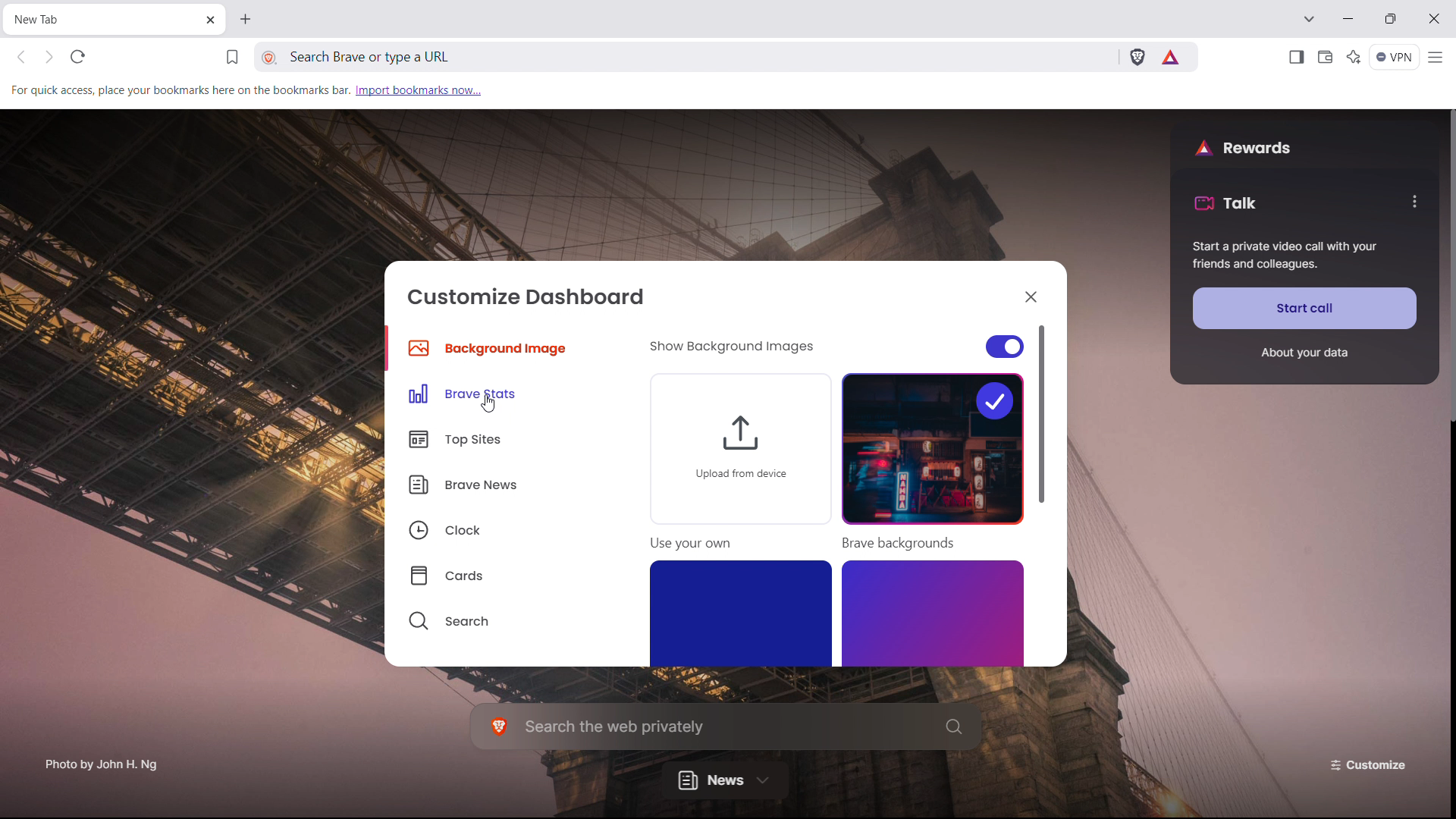 The image size is (1456, 819). I want to click on search in tabs, so click(1308, 17).